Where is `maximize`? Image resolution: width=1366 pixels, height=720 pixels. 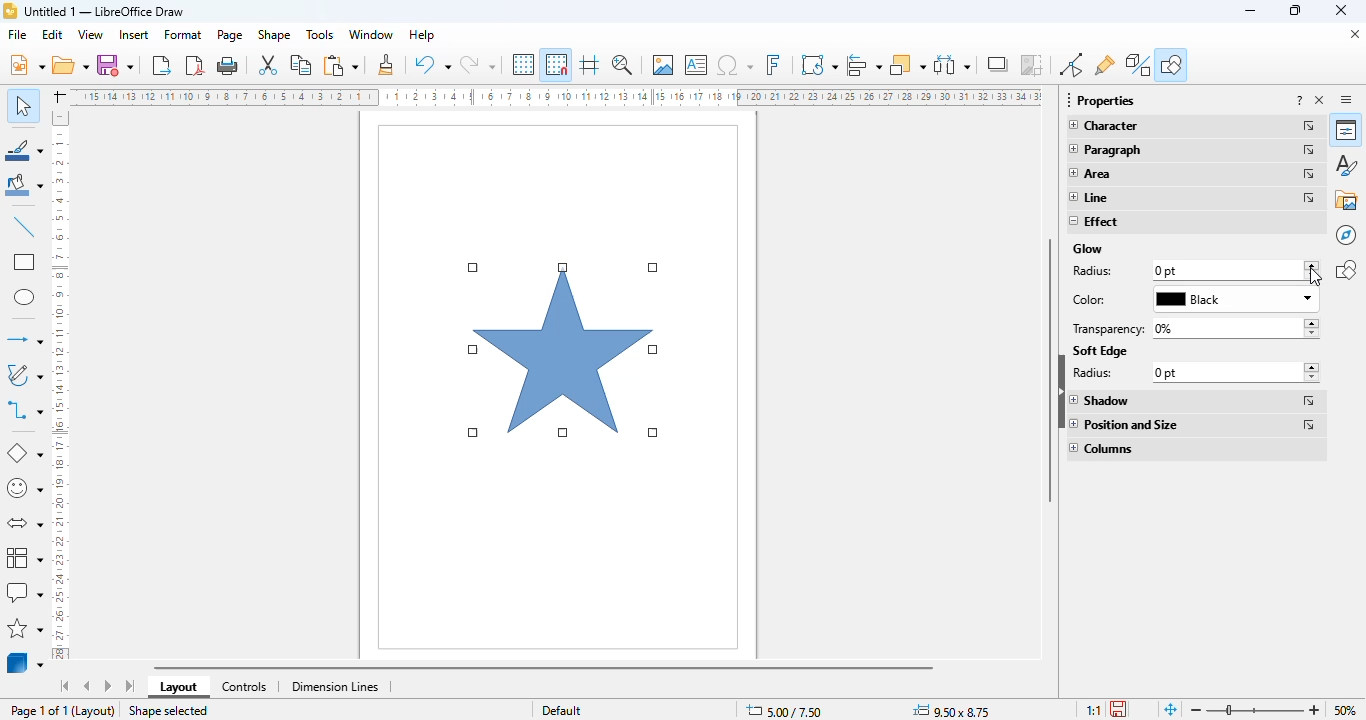
maximize is located at coordinates (1295, 11).